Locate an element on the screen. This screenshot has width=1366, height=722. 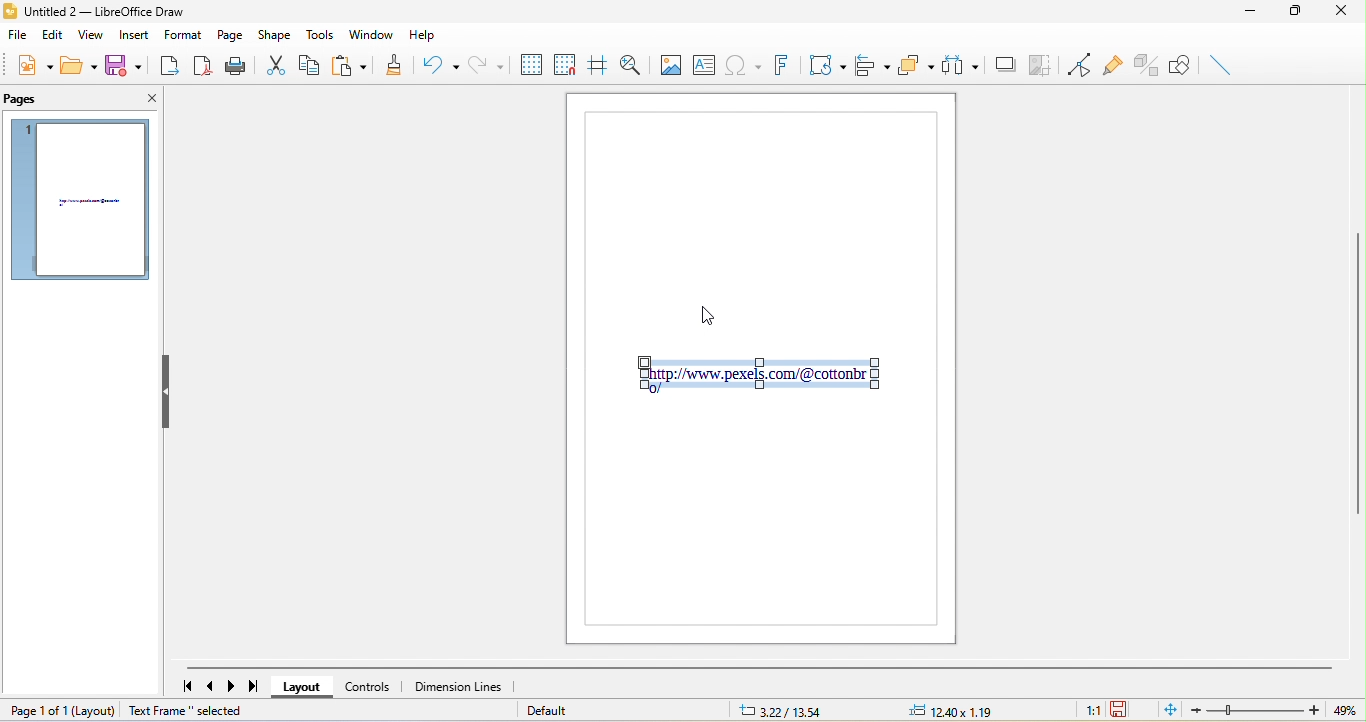
Page1 is located at coordinates (760, 224).